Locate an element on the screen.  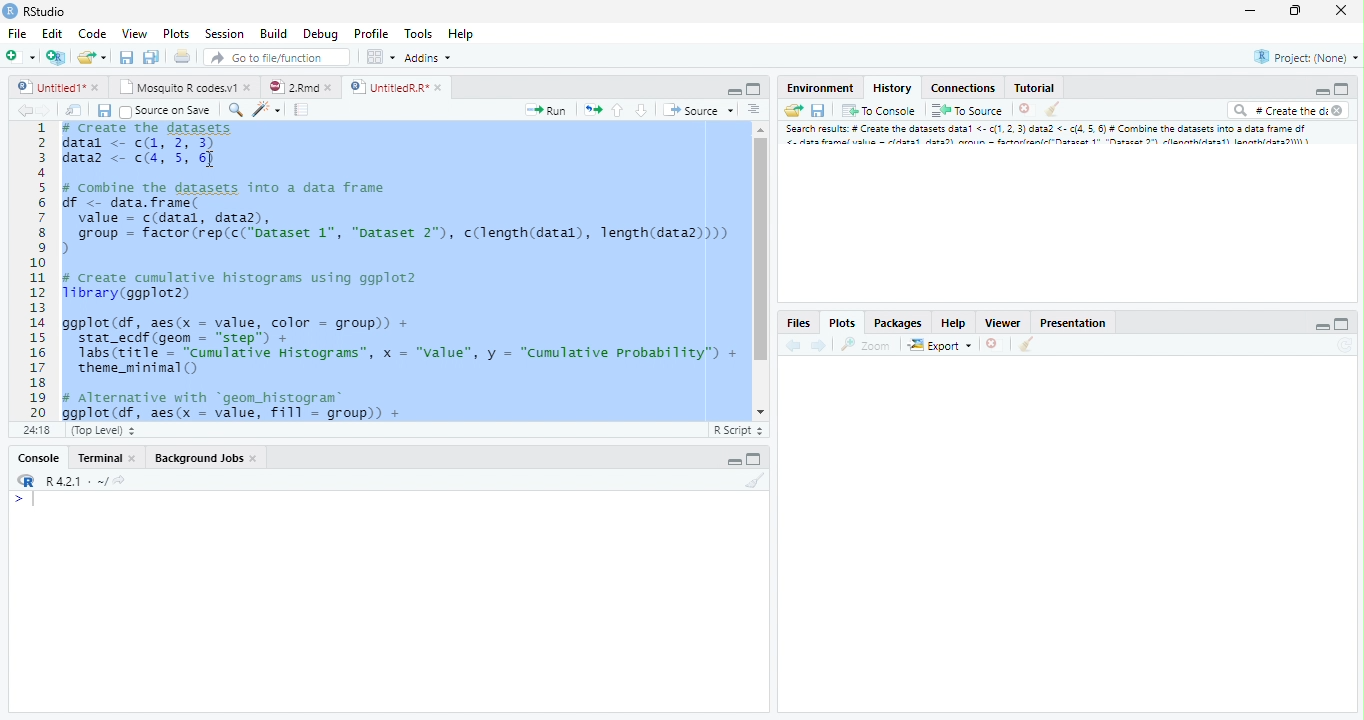
Console is located at coordinates (42, 457).